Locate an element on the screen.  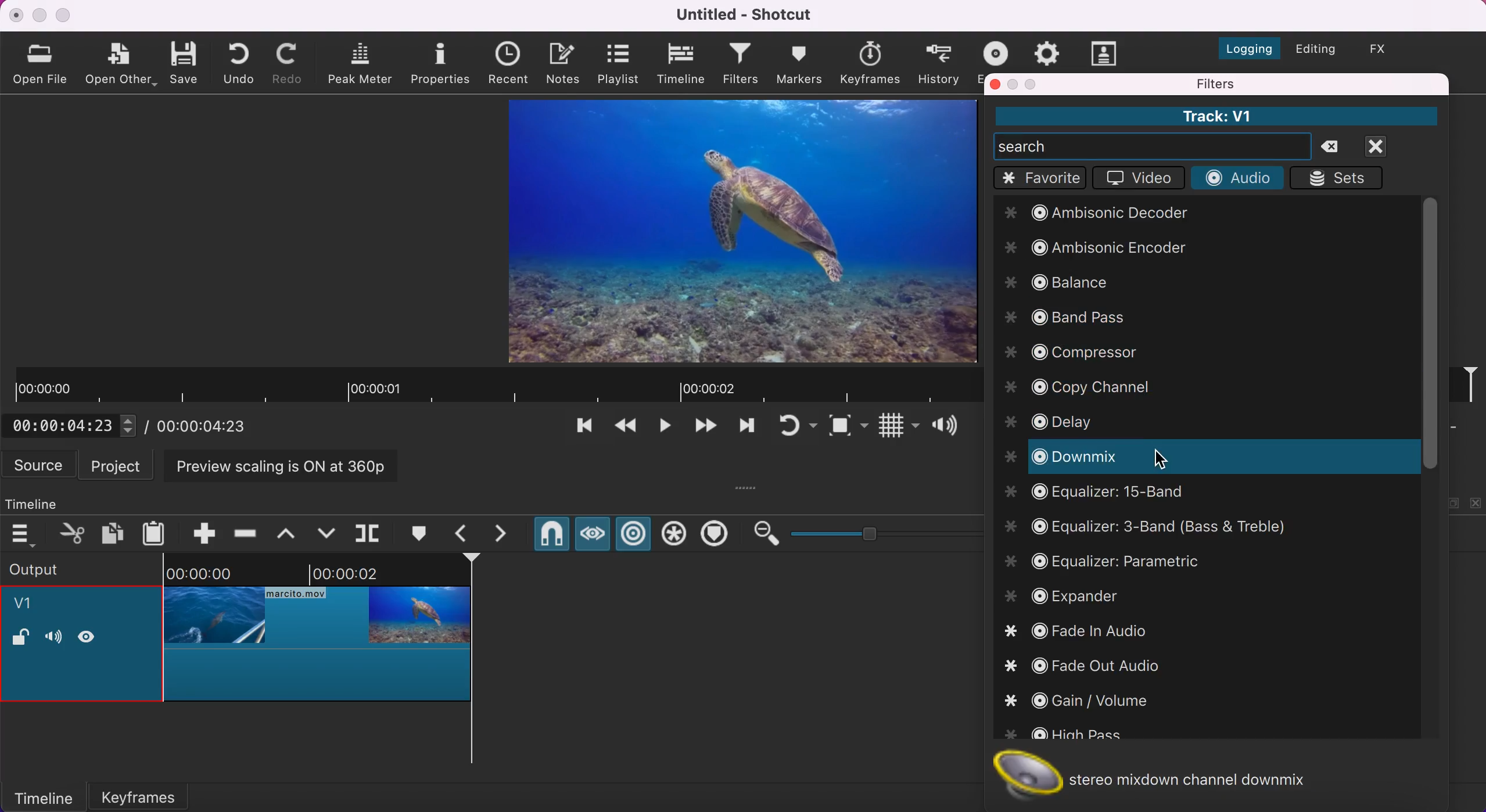
previous marker is located at coordinates (465, 533).